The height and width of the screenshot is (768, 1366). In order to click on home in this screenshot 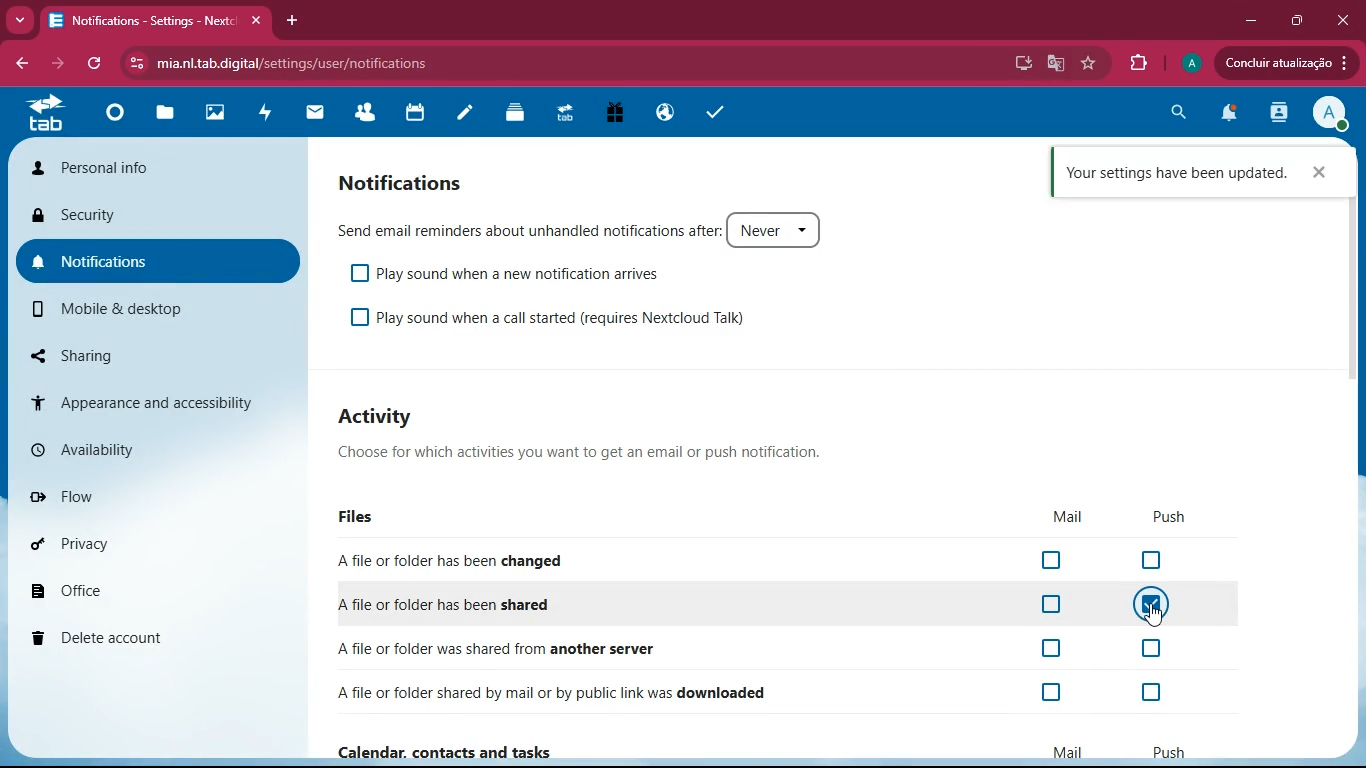, I will do `click(110, 118)`.